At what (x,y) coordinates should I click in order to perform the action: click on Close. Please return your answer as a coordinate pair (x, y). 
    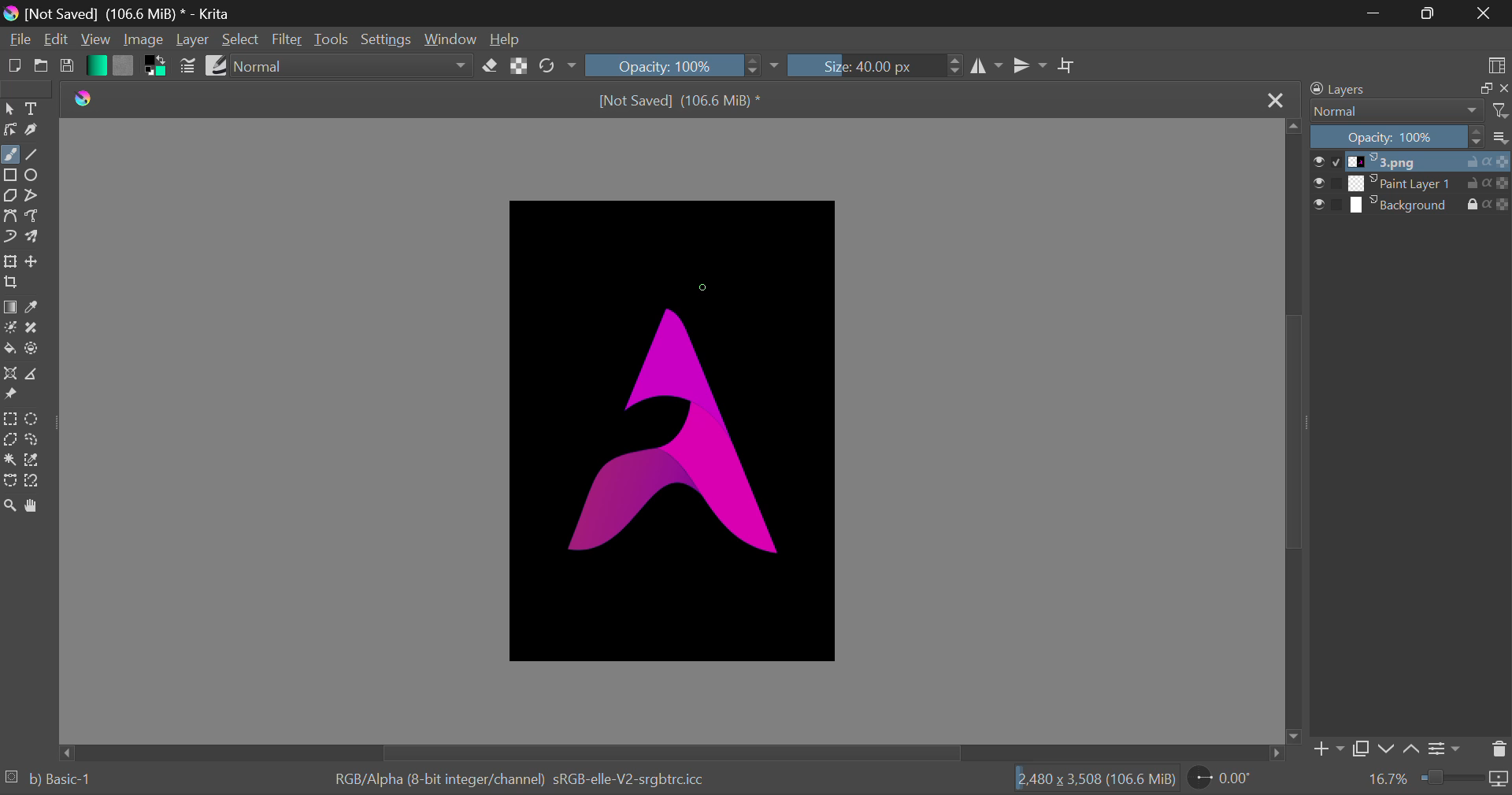
    Looking at the image, I should click on (1276, 98).